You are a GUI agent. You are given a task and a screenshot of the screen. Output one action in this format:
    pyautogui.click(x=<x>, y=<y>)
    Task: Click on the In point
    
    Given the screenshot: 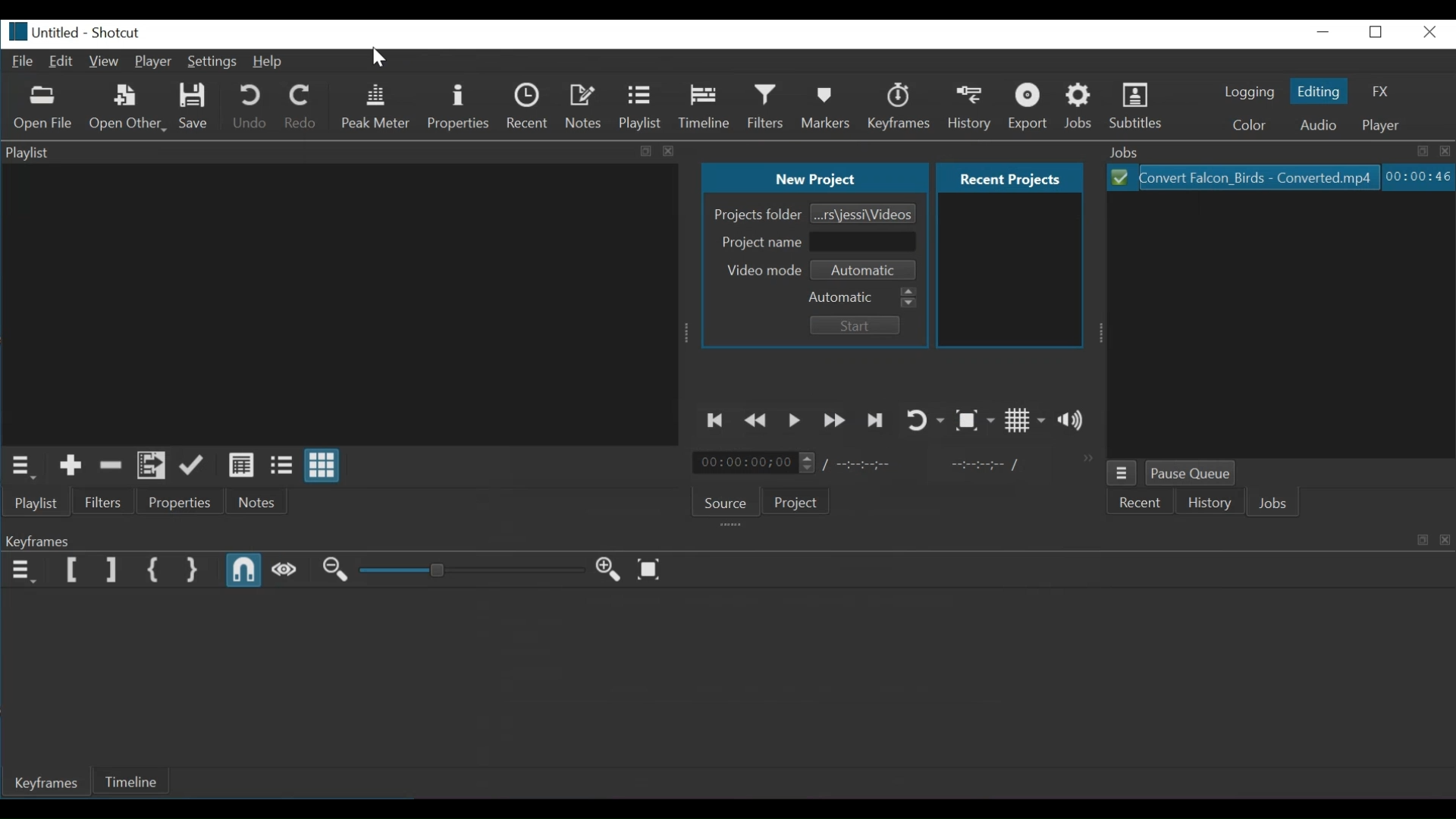 What is the action you would take?
    pyautogui.click(x=989, y=466)
    